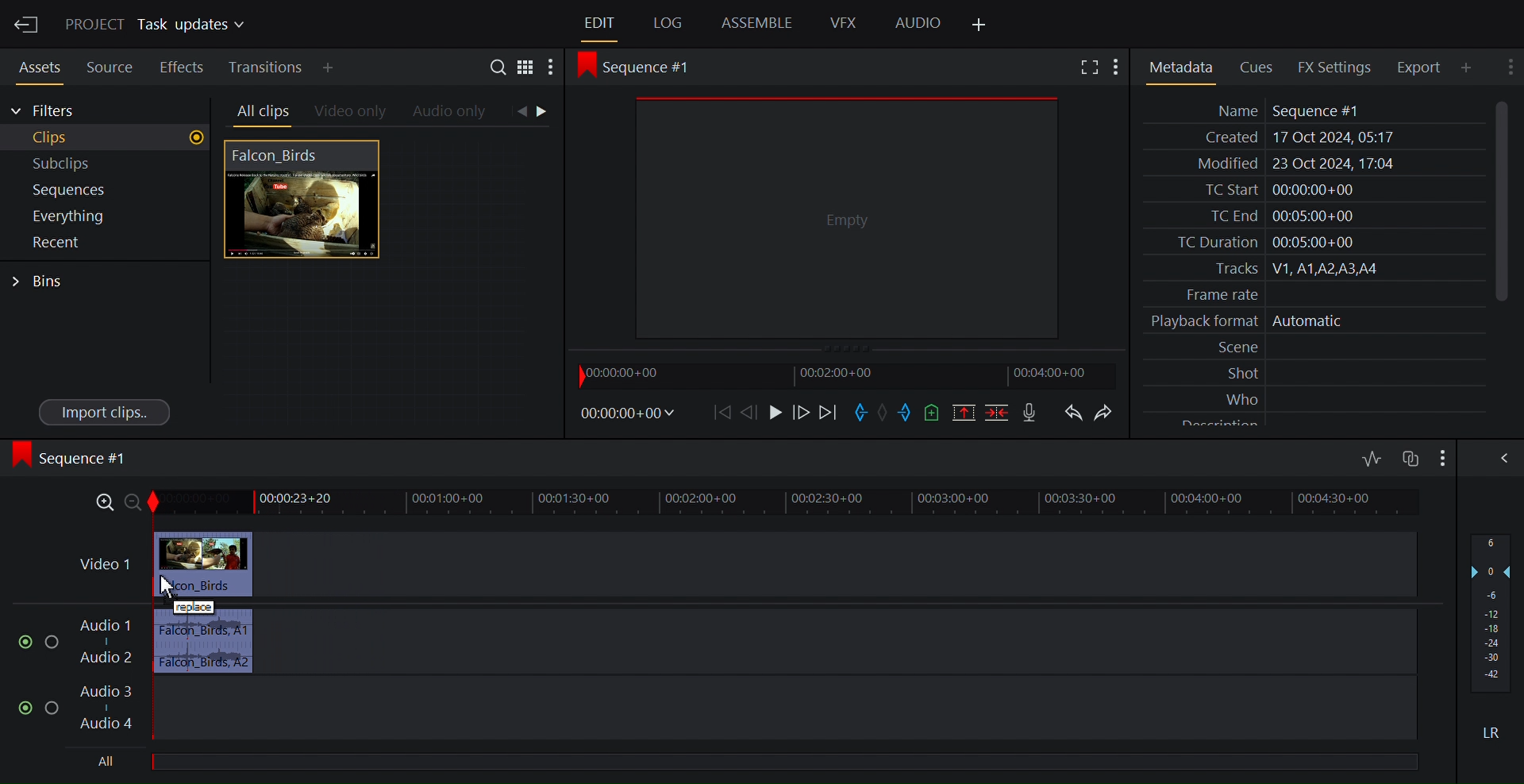 The width and height of the screenshot is (1524, 784). I want to click on Solo thistrack, so click(55, 644).